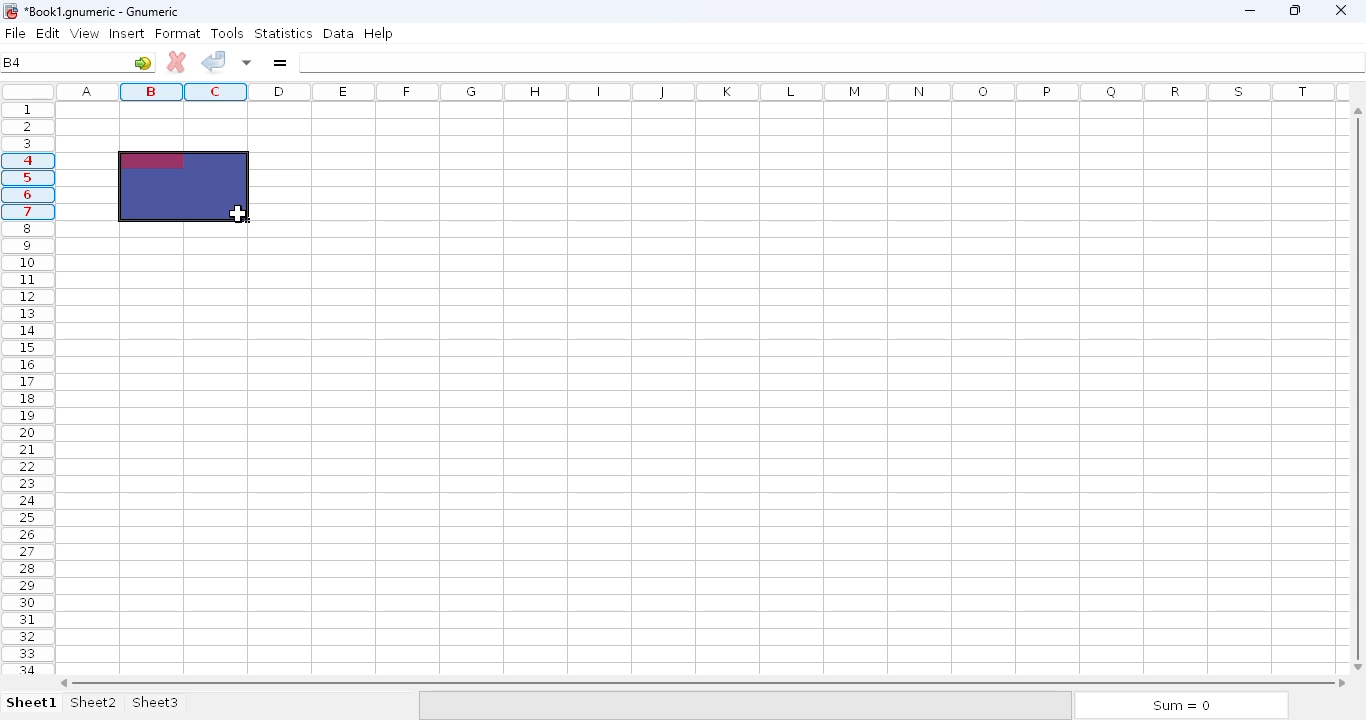 The image size is (1366, 720). I want to click on close, so click(1341, 17).